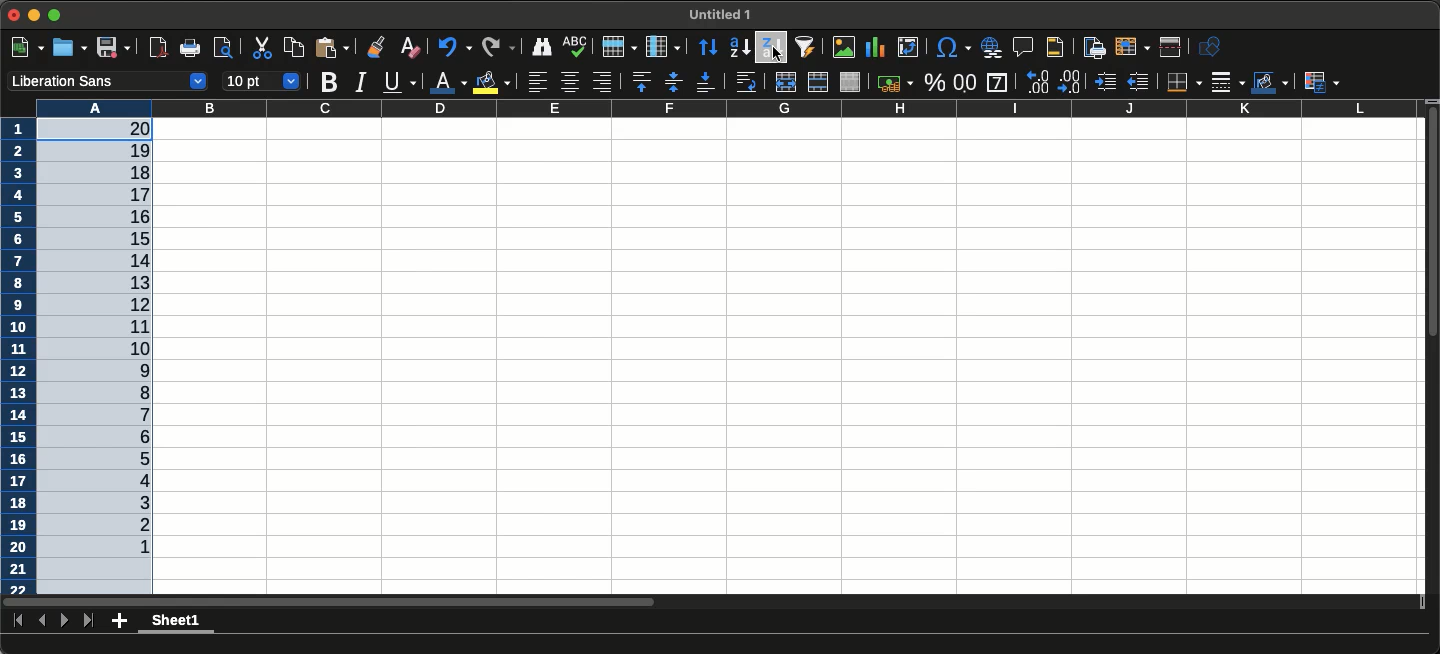 Image resolution: width=1440 pixels, height=654 pixels. Describe the element at coordinates (704, 48) in the screenshot. I see `Sort` at that location.